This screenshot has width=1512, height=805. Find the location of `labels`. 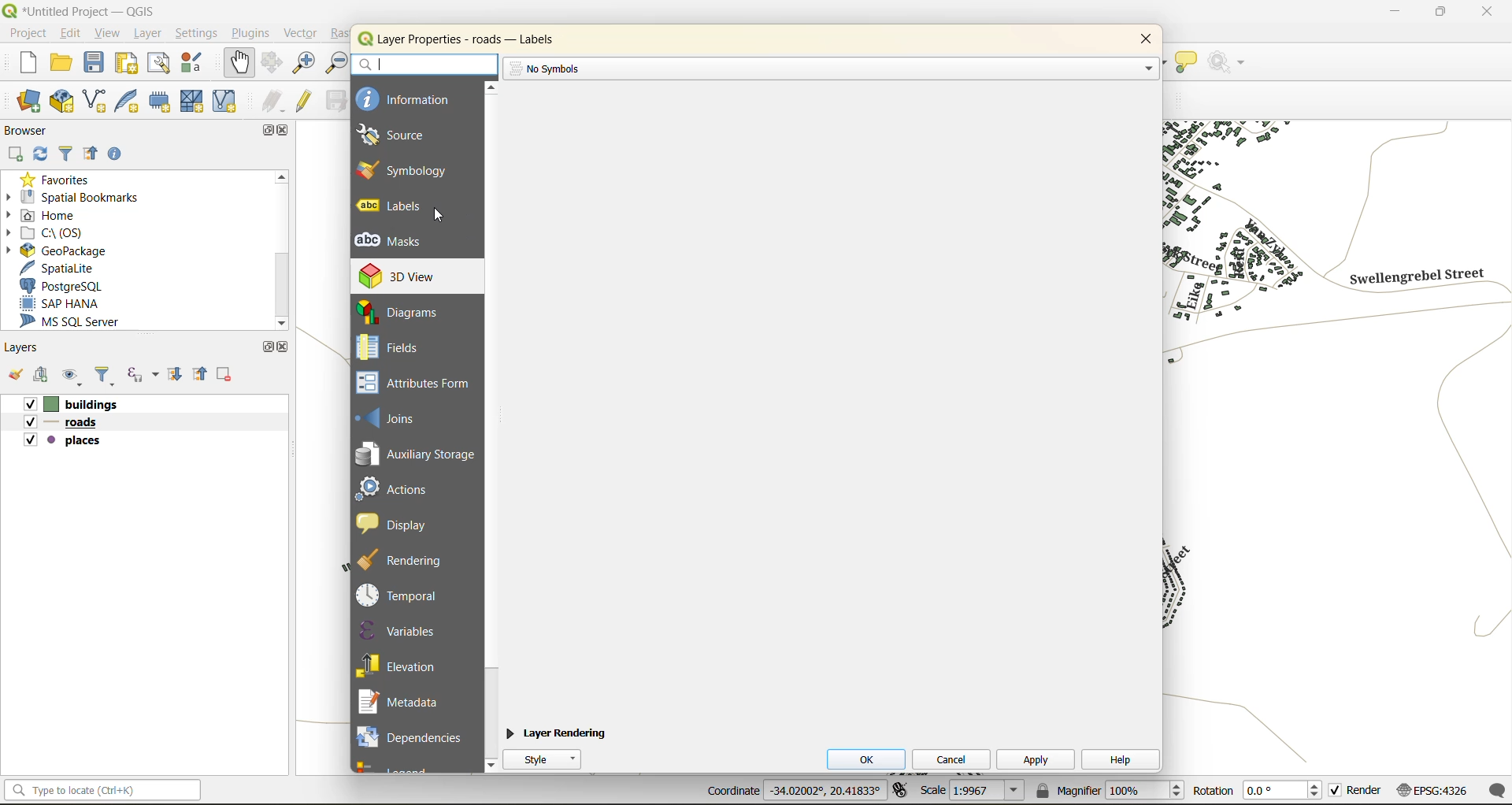

labels is located at coordinates (395, 206).